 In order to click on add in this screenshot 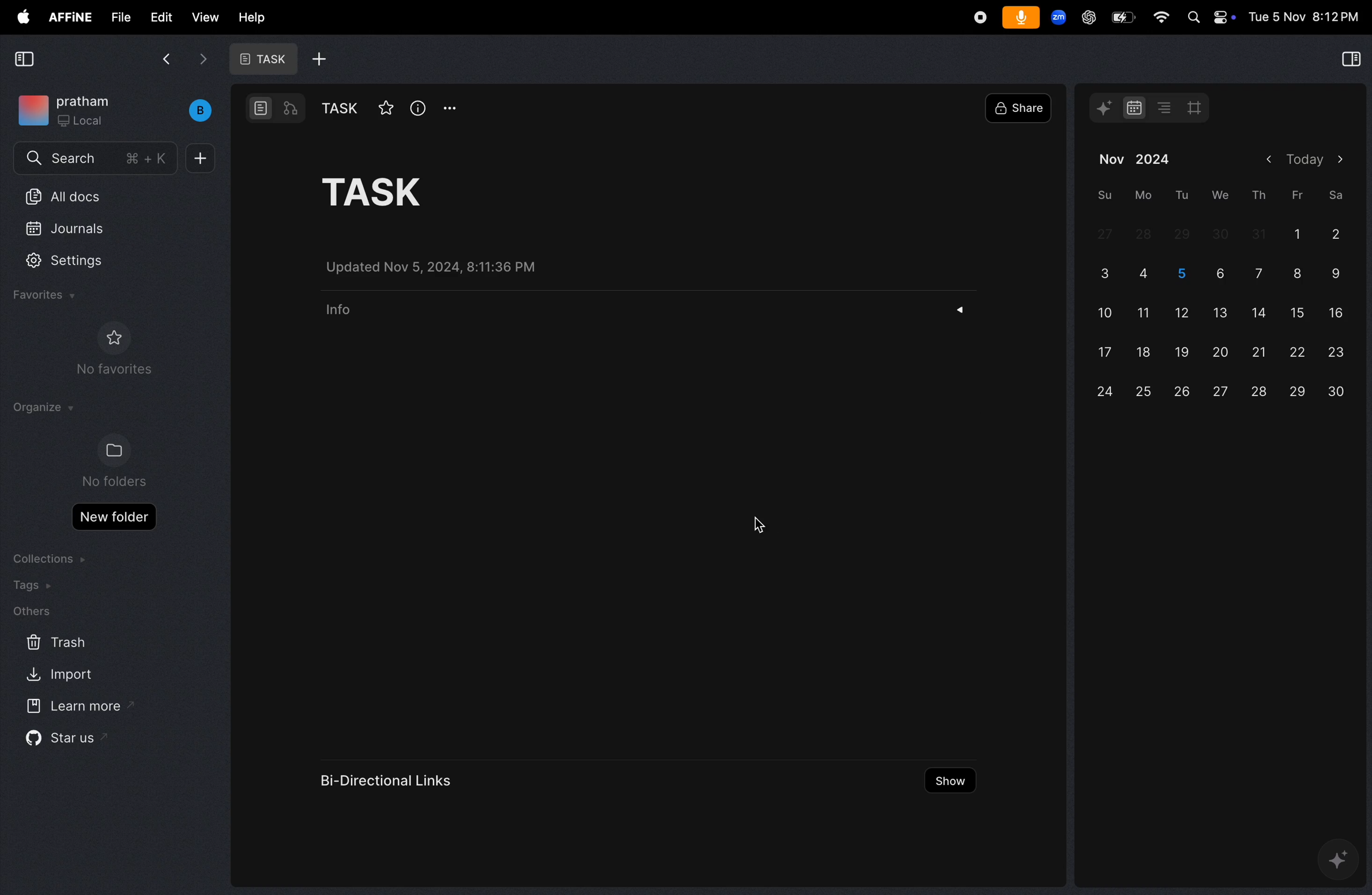, I will do `click(202, 159)`.